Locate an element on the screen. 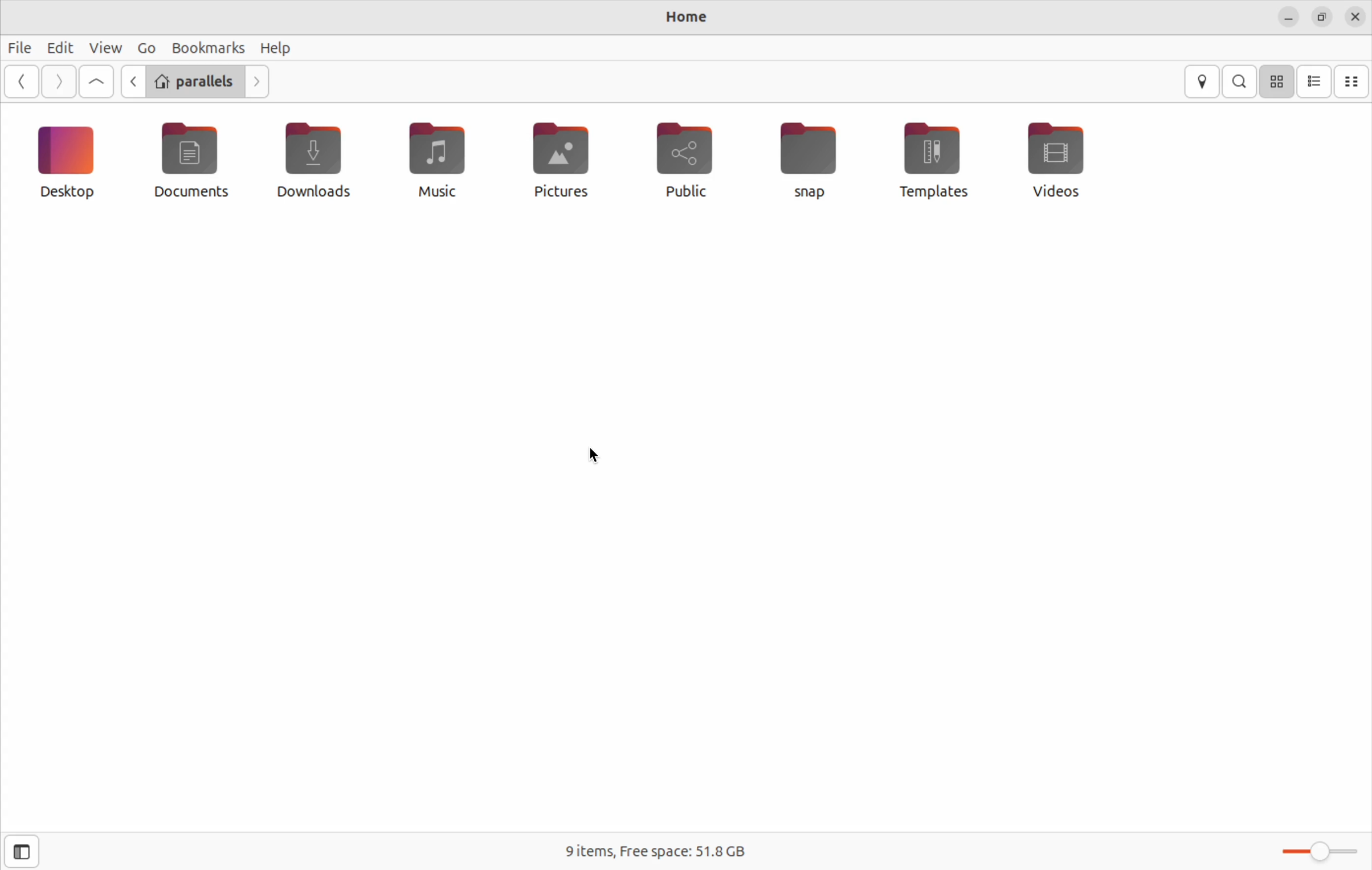 This screenshot has width=1372, height=870. cursor is located at coordinates (593, 457).